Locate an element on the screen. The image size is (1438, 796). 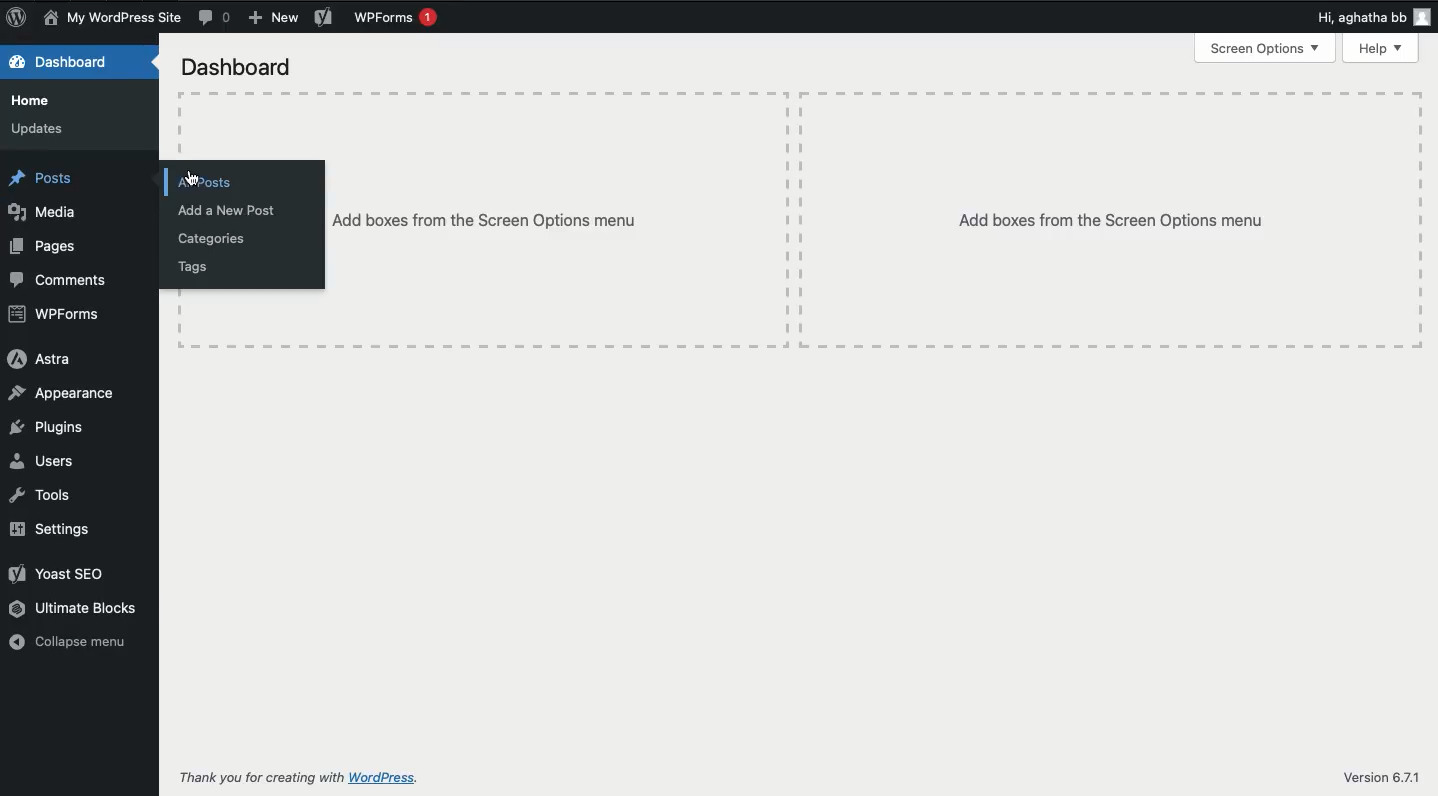
Add a new post  is located at coordinates (233, 210).